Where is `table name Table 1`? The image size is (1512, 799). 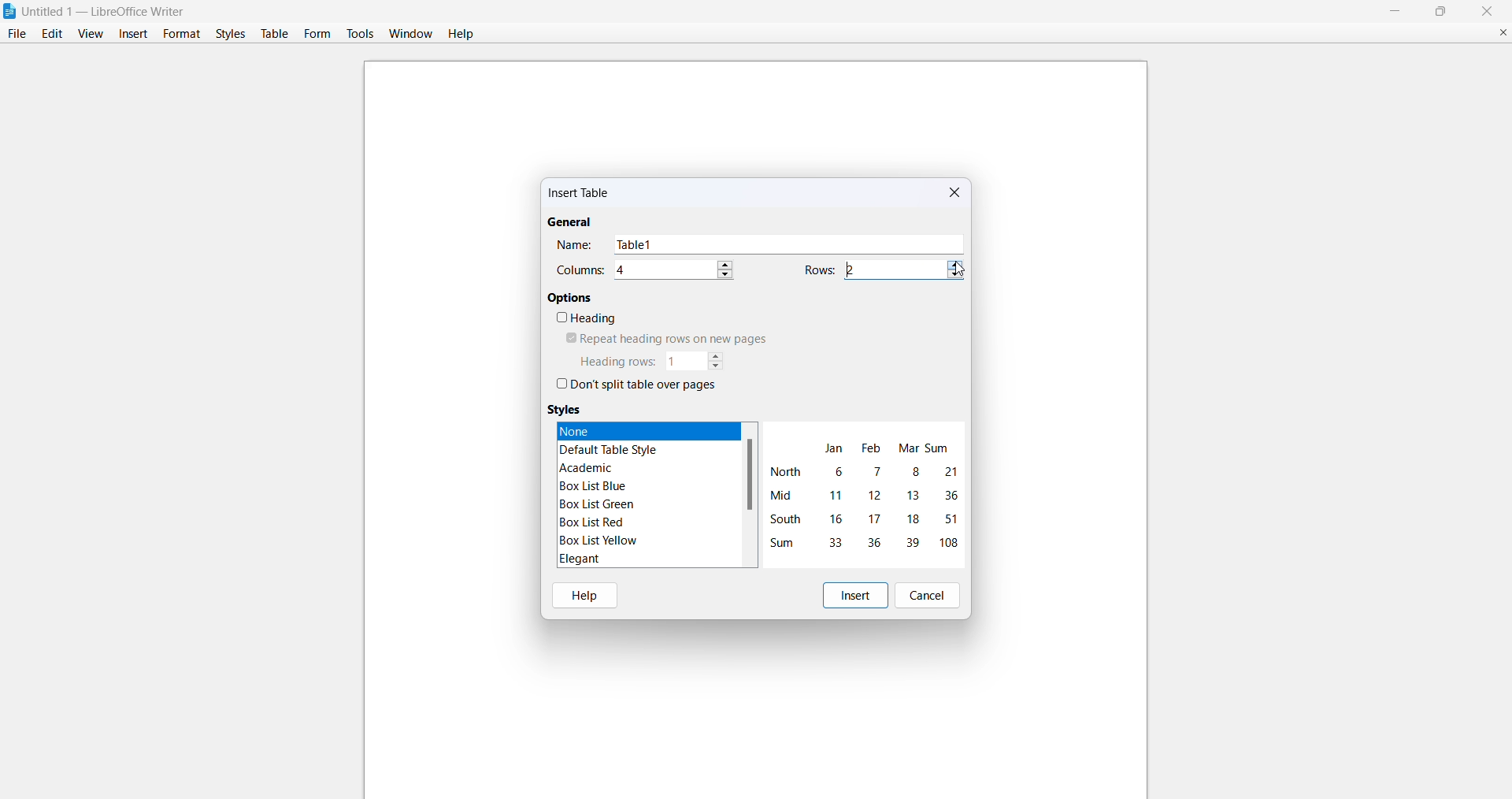 table name Table 1 is located at coordinates (790, 244).